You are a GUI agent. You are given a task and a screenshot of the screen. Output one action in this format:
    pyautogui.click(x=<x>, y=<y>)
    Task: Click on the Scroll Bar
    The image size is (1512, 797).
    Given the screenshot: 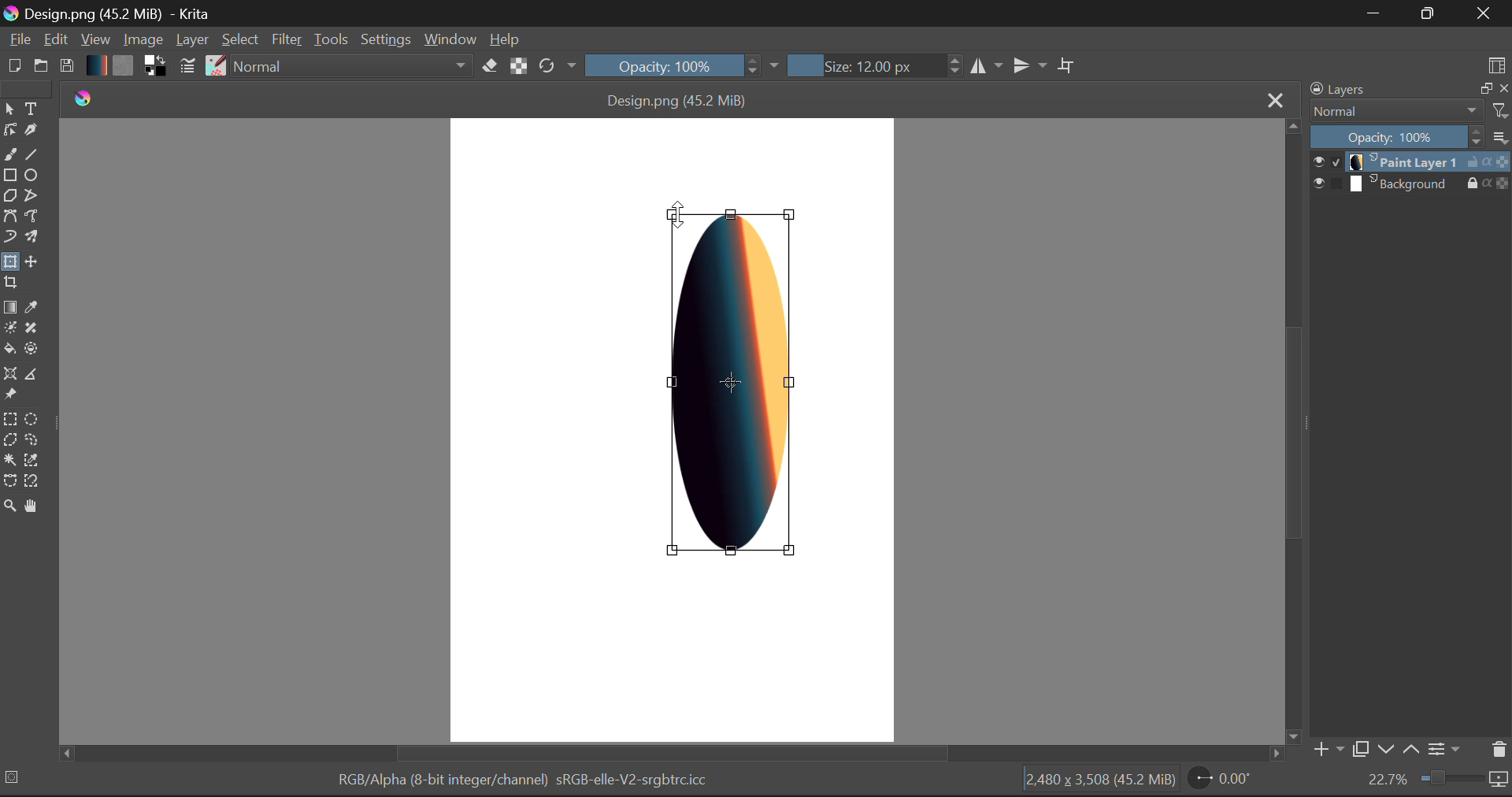 What is the action you would take?
    pyautogui.click(x=1291, y=430)
    